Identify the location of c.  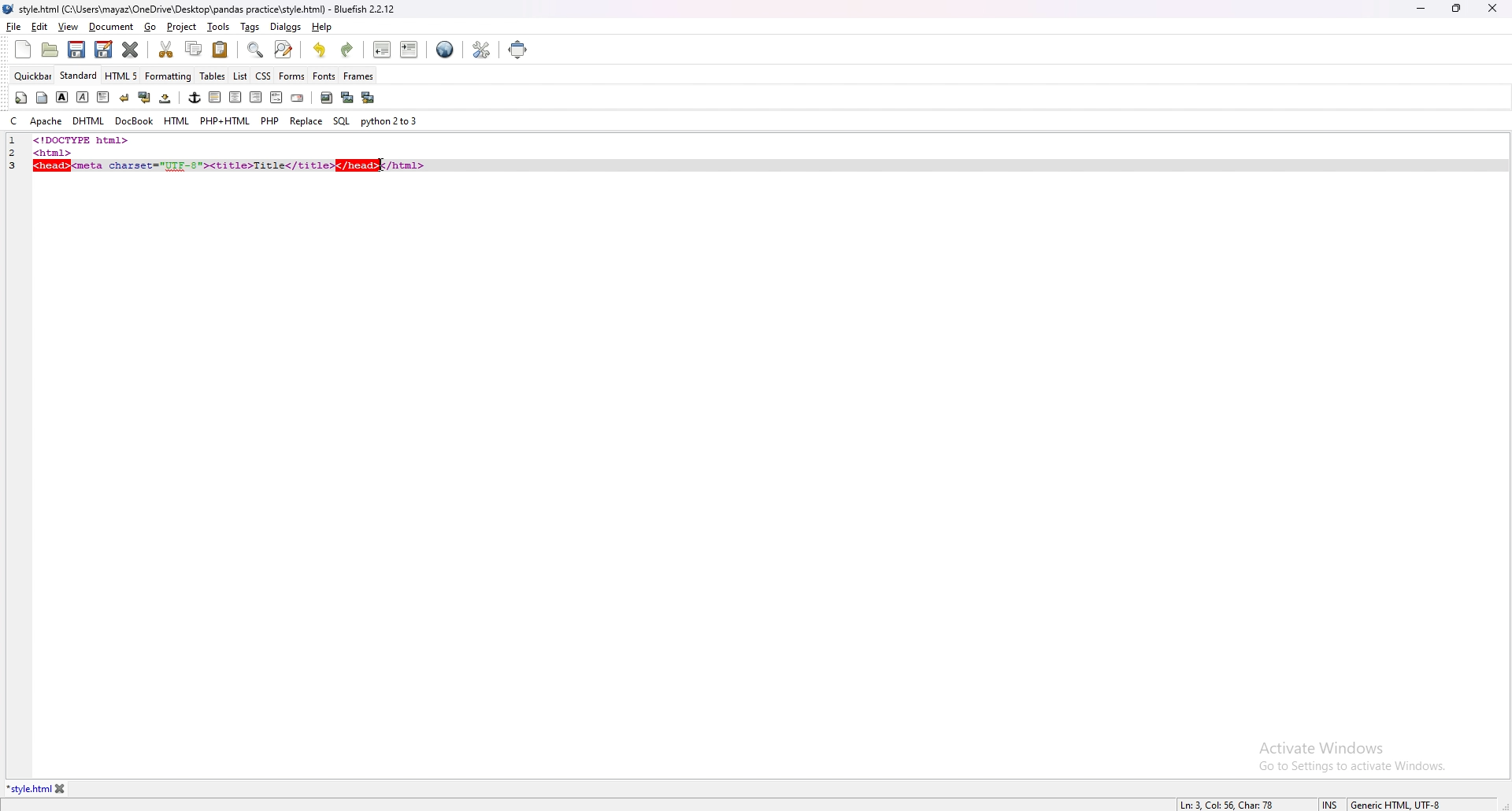
(13, 121).